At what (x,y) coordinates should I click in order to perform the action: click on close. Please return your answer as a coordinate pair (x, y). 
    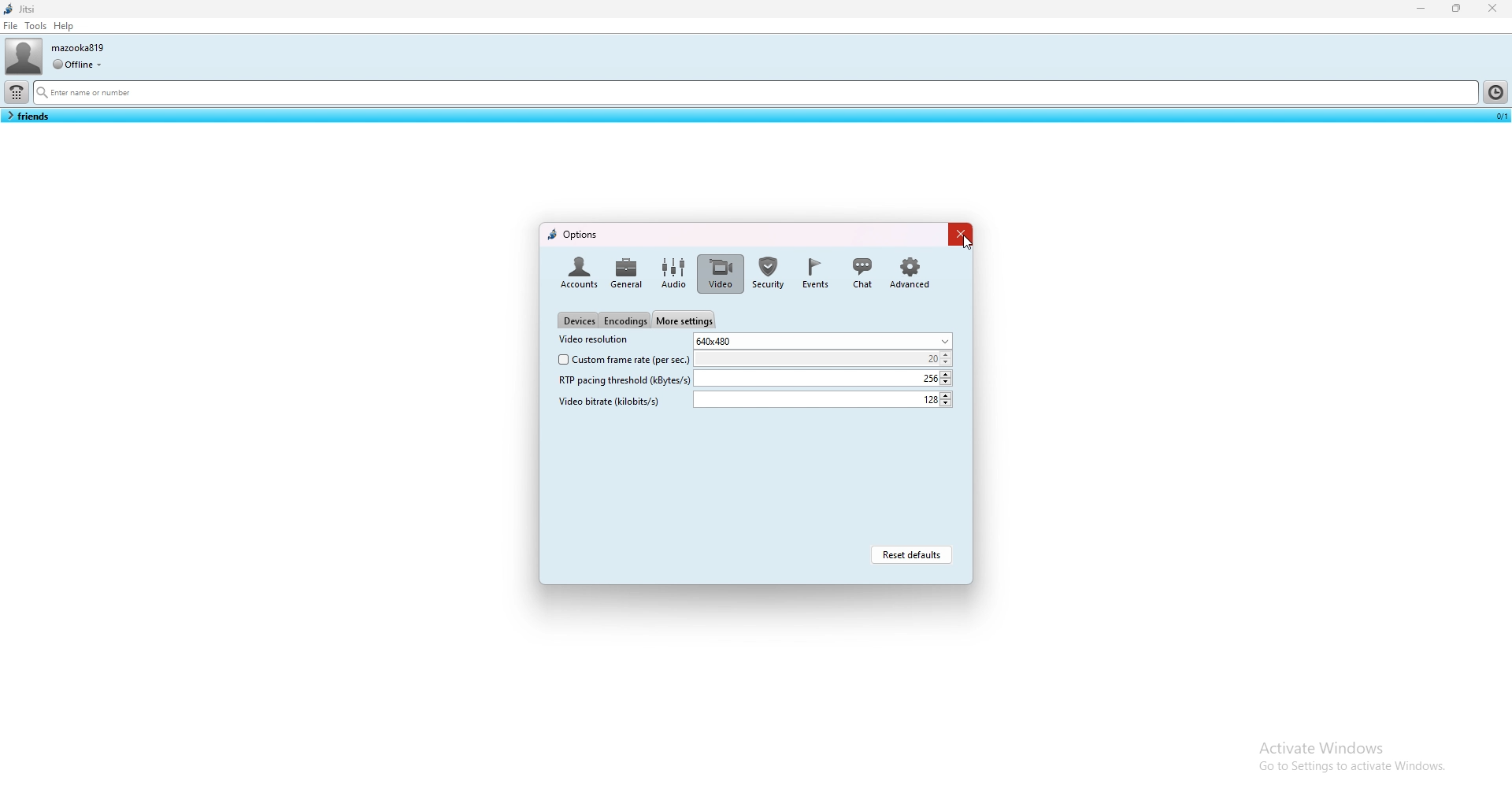
    Looking at the image, I should click on (960, 234).